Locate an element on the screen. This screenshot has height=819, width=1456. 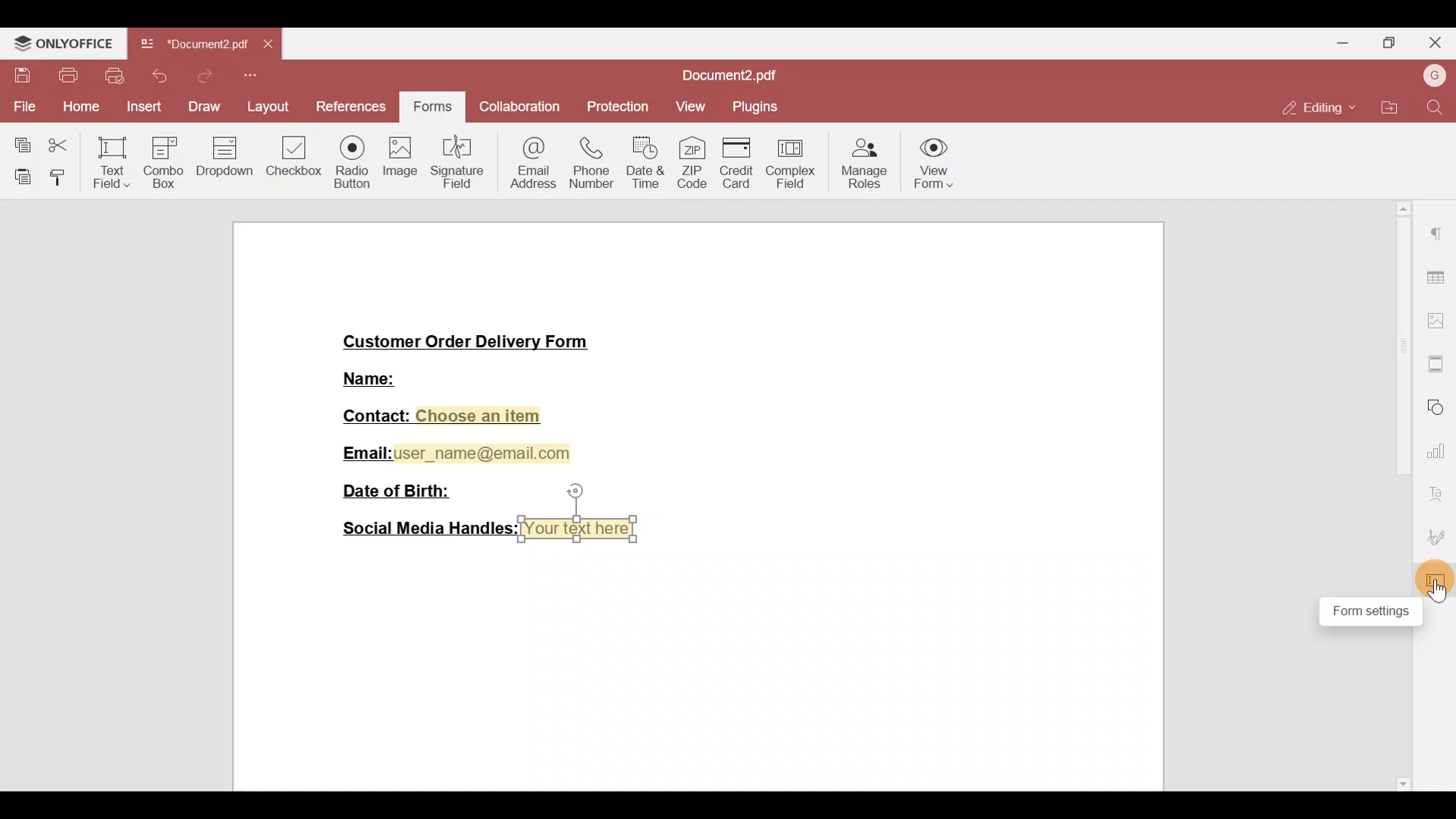
View form is located at coordinates (941, 161).